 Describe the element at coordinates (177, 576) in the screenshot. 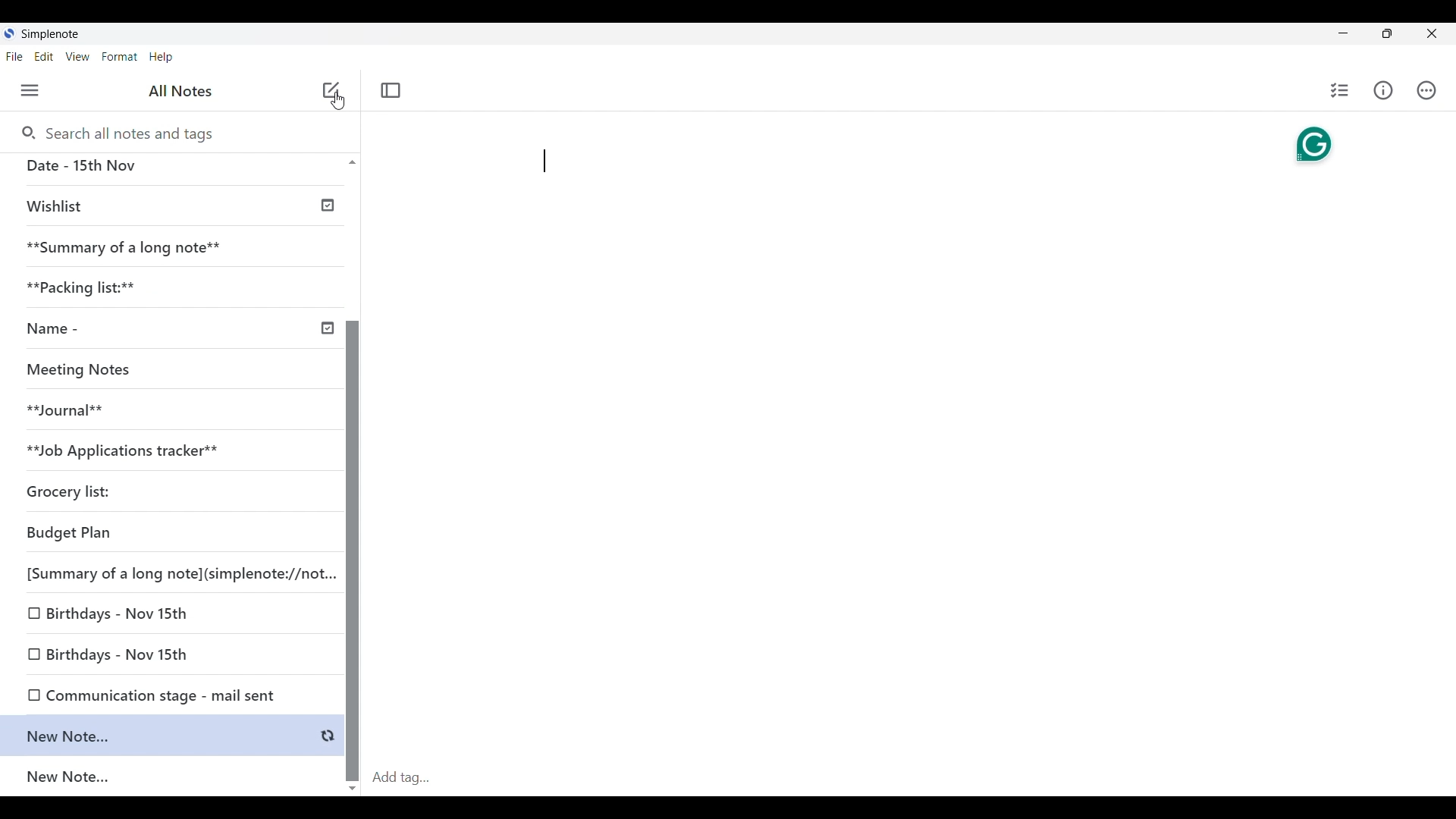

I see `[Summary of a long note](simplenote://not..` at that location.